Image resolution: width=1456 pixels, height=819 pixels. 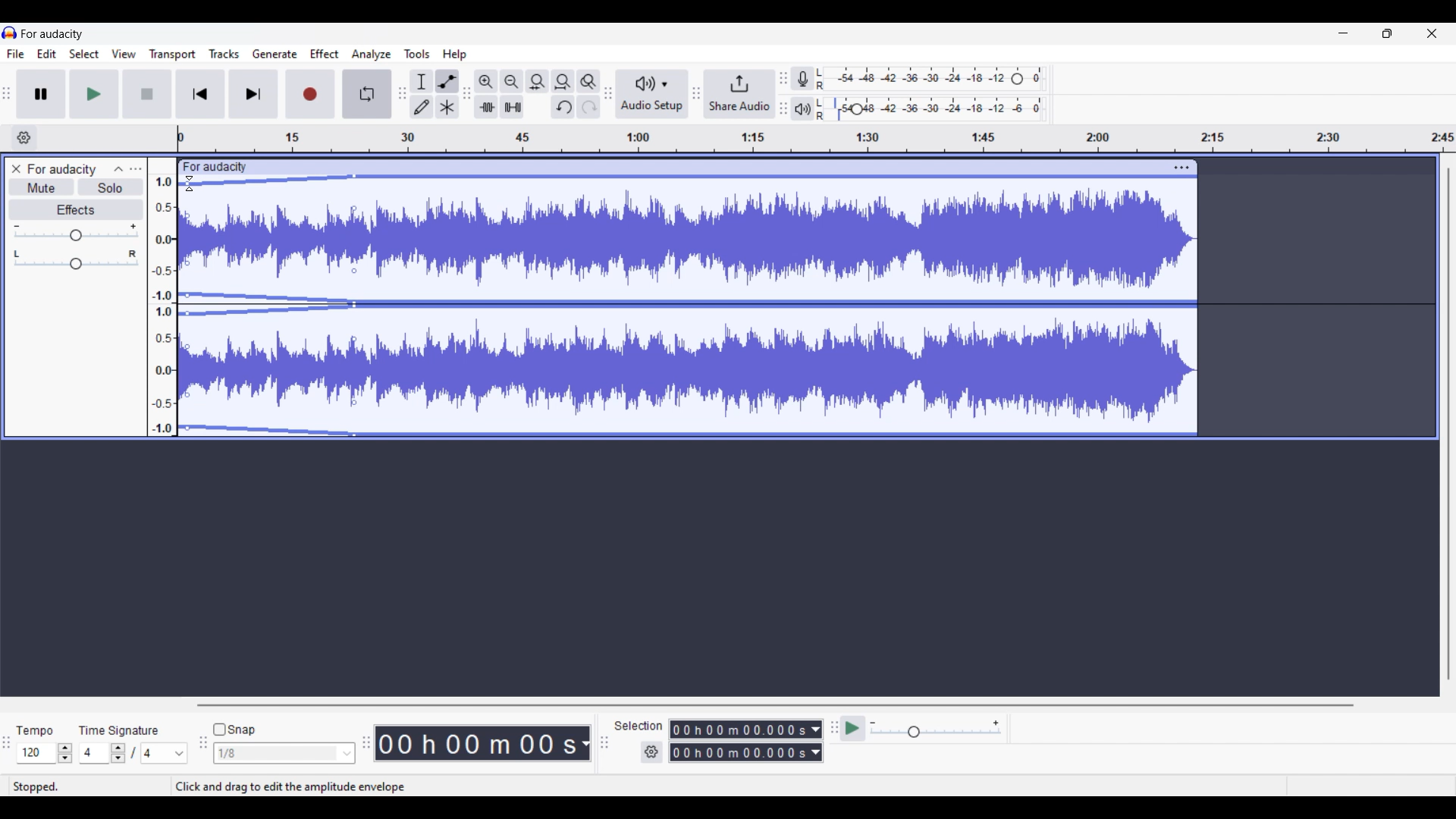 I want to click on Zoom in, so click(x=486, y=81).